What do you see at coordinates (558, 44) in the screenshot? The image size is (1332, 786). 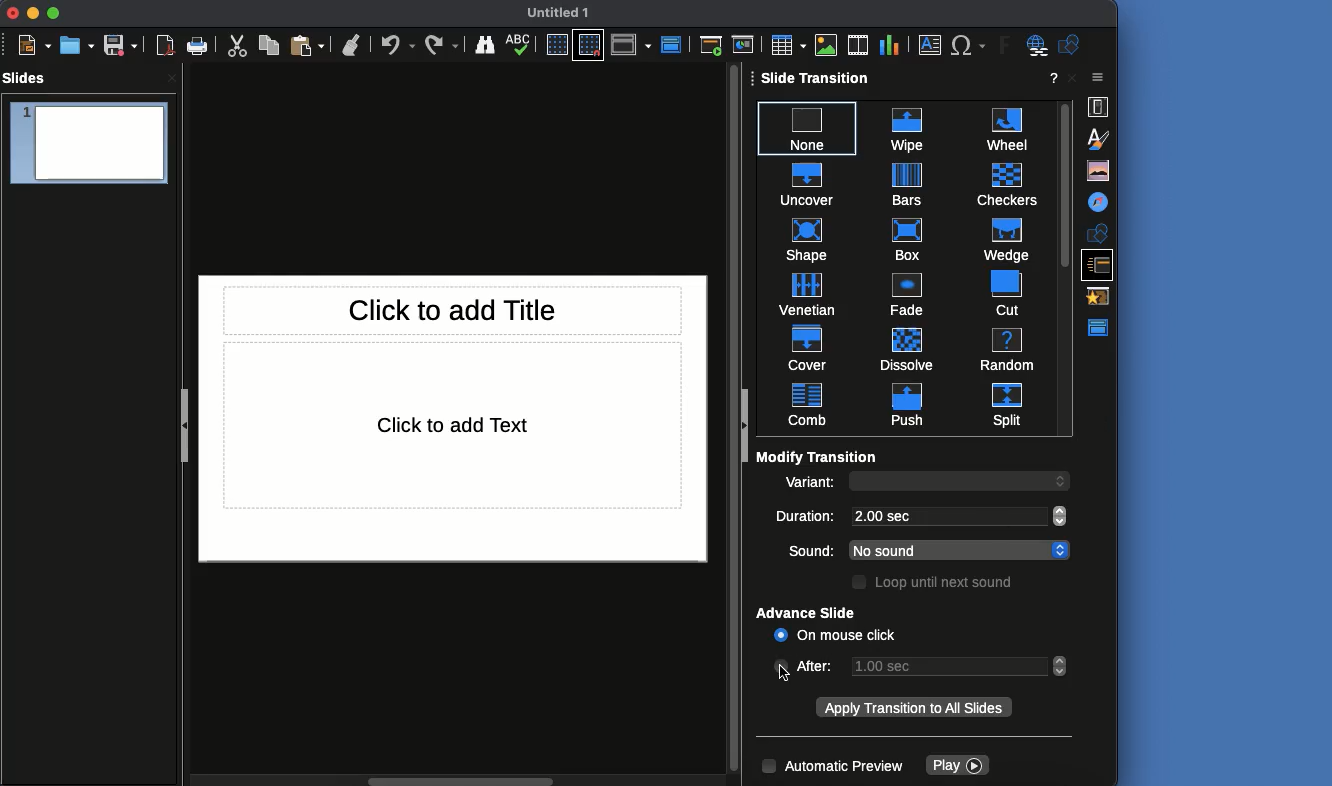 I see `Display grid` at bounding box center [558, 44].